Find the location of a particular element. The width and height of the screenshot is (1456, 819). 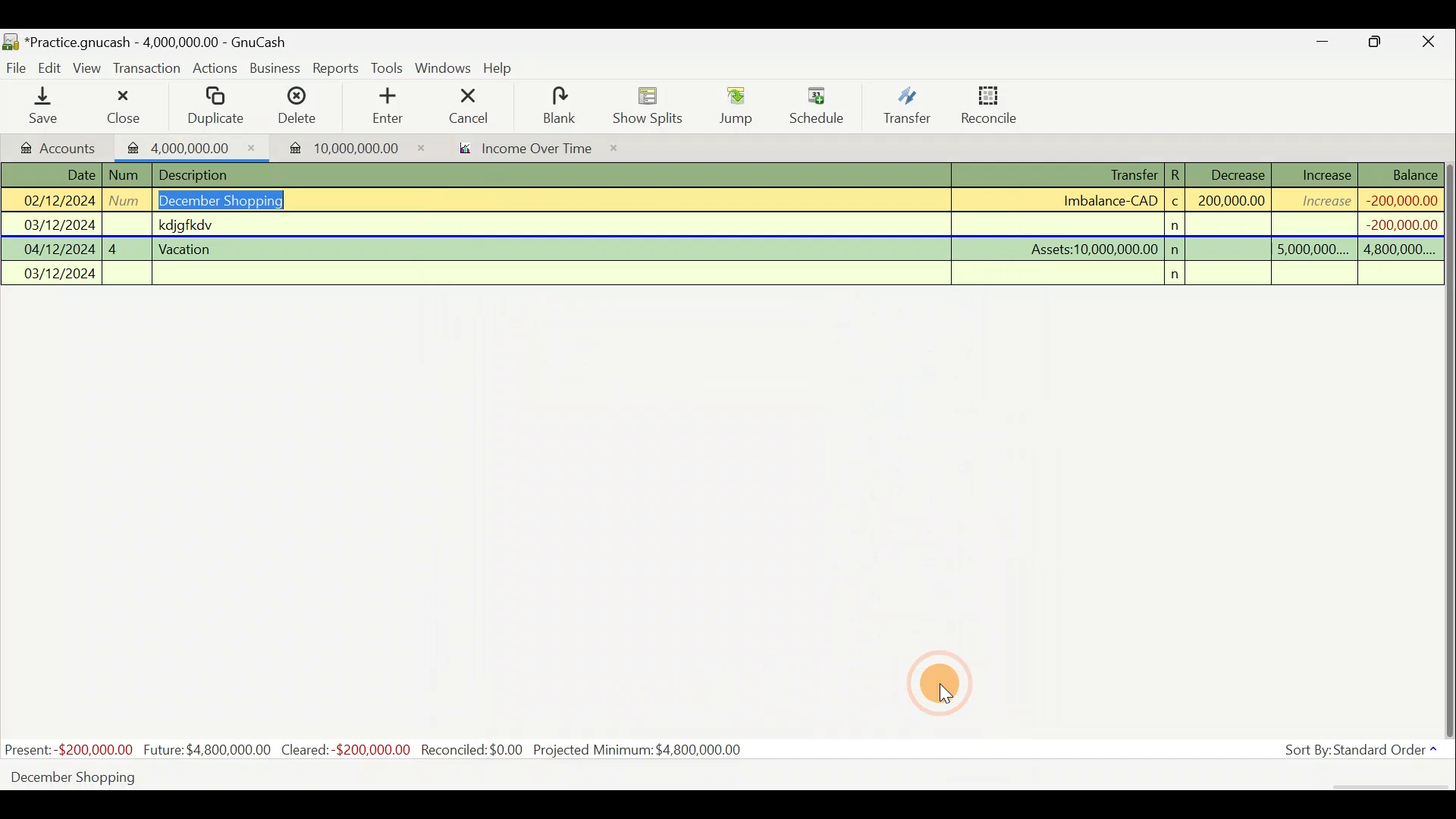

Show splits is located at coordinates (652, 105).